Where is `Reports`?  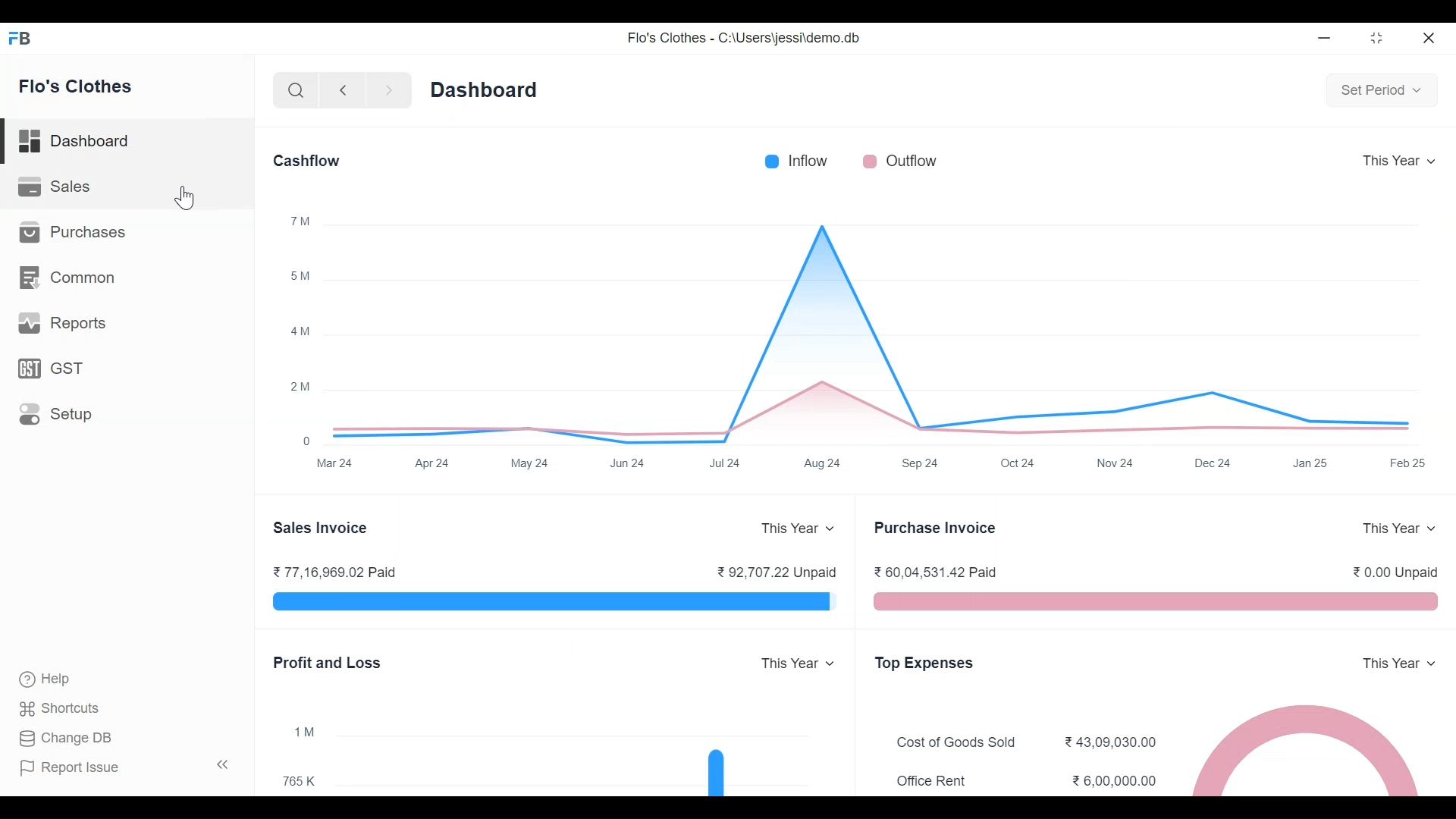
Reports is located at coordinates (62, 322).